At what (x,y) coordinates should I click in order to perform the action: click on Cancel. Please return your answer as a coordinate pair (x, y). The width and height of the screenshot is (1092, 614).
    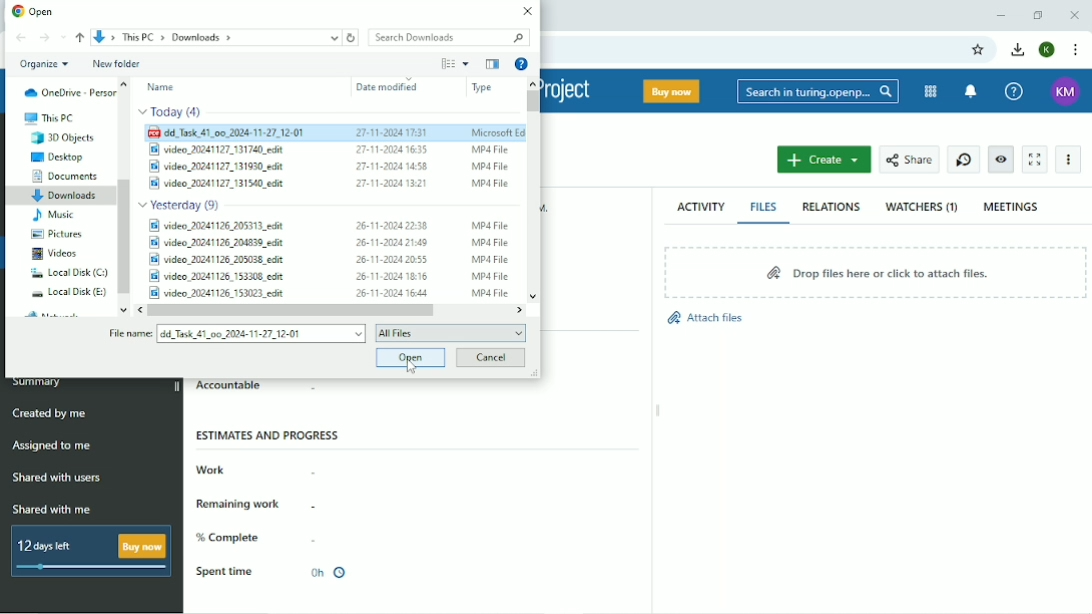
    Looking at the image, I should click on (491, 358).